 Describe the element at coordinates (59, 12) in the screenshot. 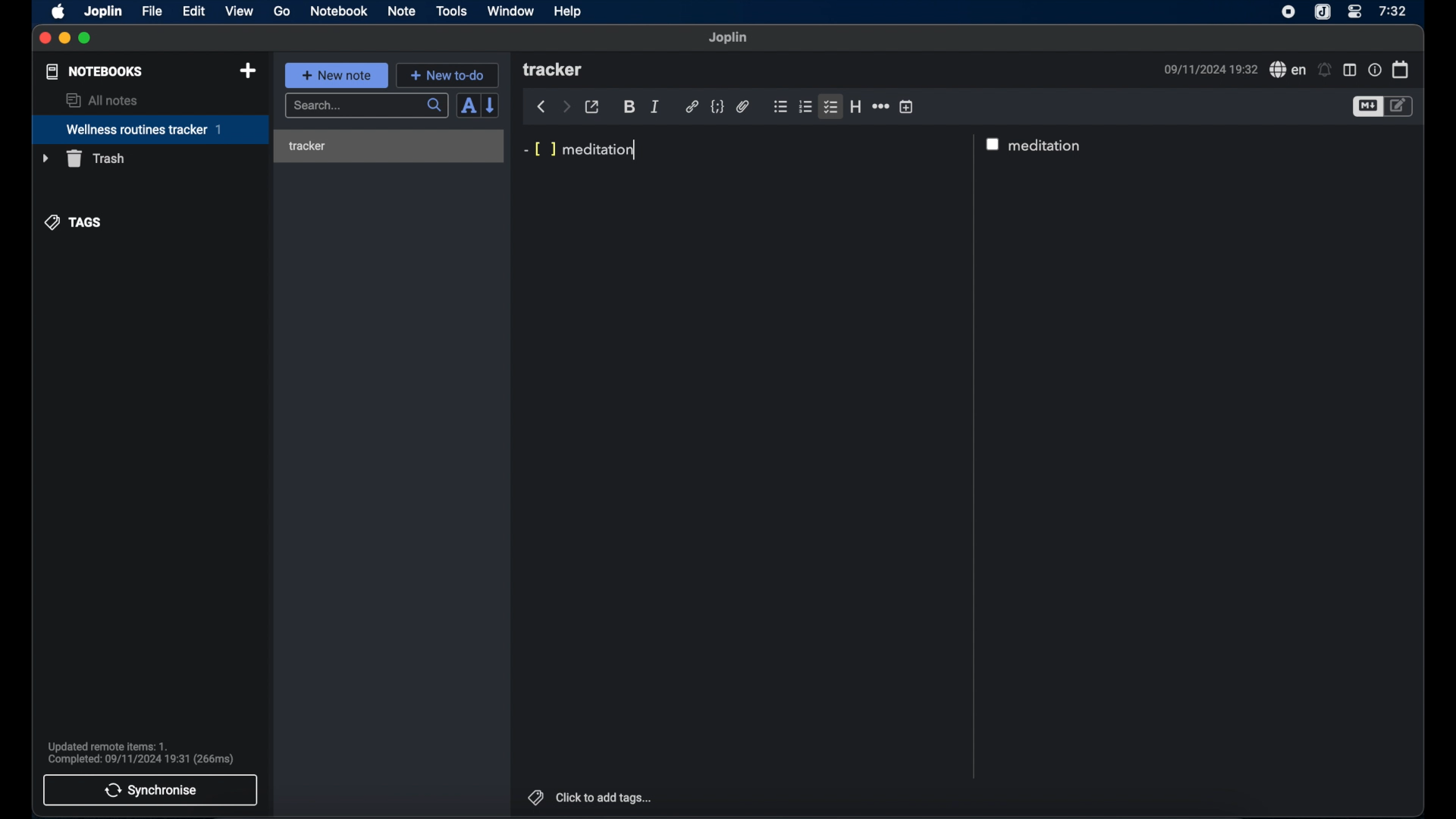

I see `apple icon` at that location.